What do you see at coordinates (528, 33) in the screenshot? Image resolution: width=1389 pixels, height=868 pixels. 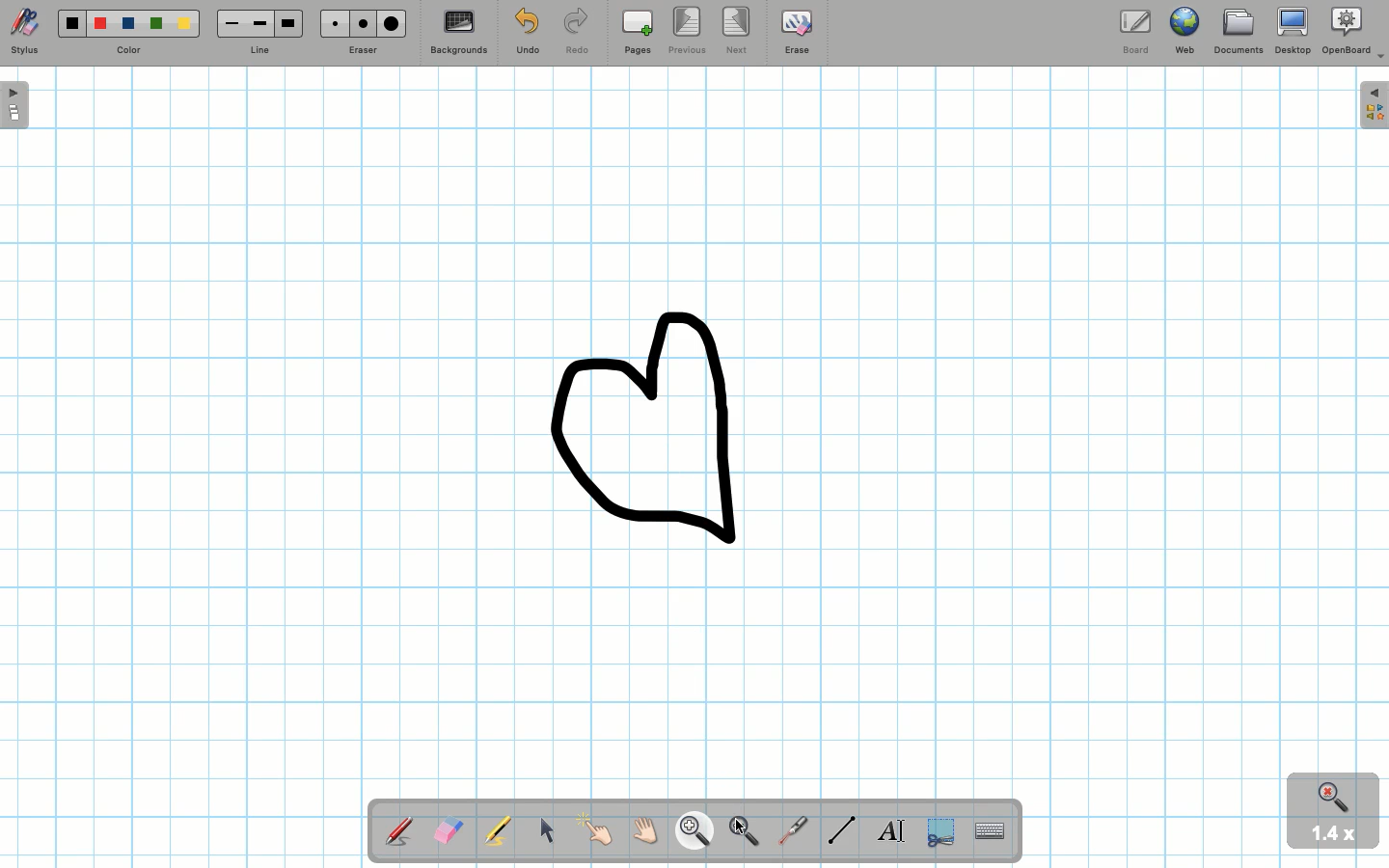 I see `Undo` at bounding box center [528, 33].